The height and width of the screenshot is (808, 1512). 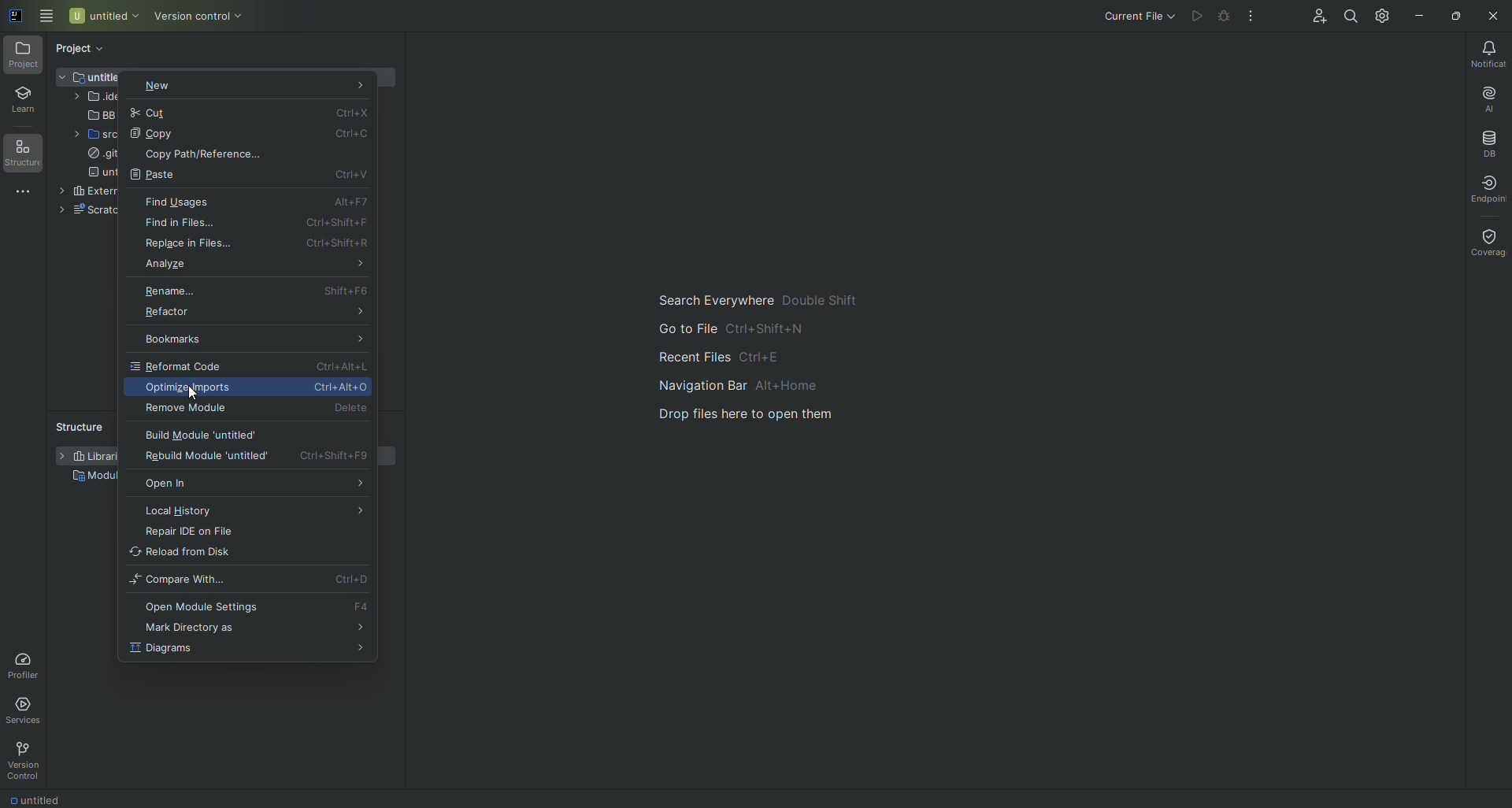 What do you see at coordinates (1488, 190) in the screenshot?
I see `Endpoint` at bounding box center [1488, 190].